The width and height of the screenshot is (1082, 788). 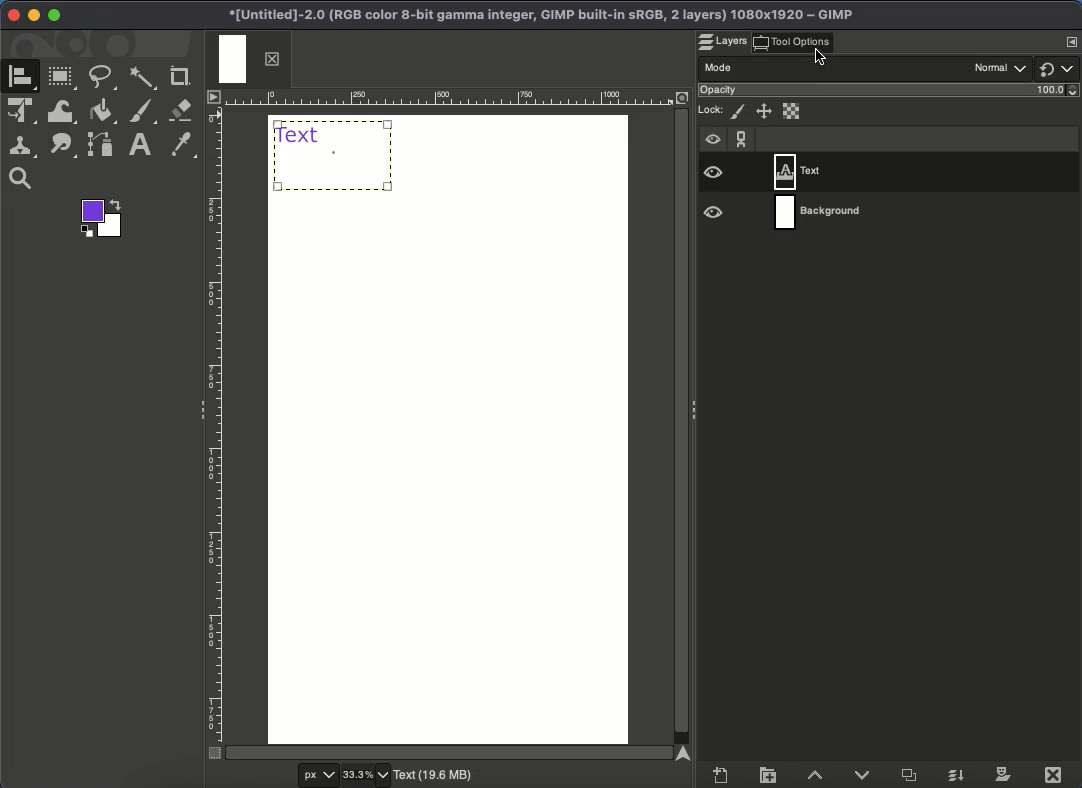 What do you see at coordinates (539, 15) in the screenshot?
I see `Project name` at bounding box center [539, 15].